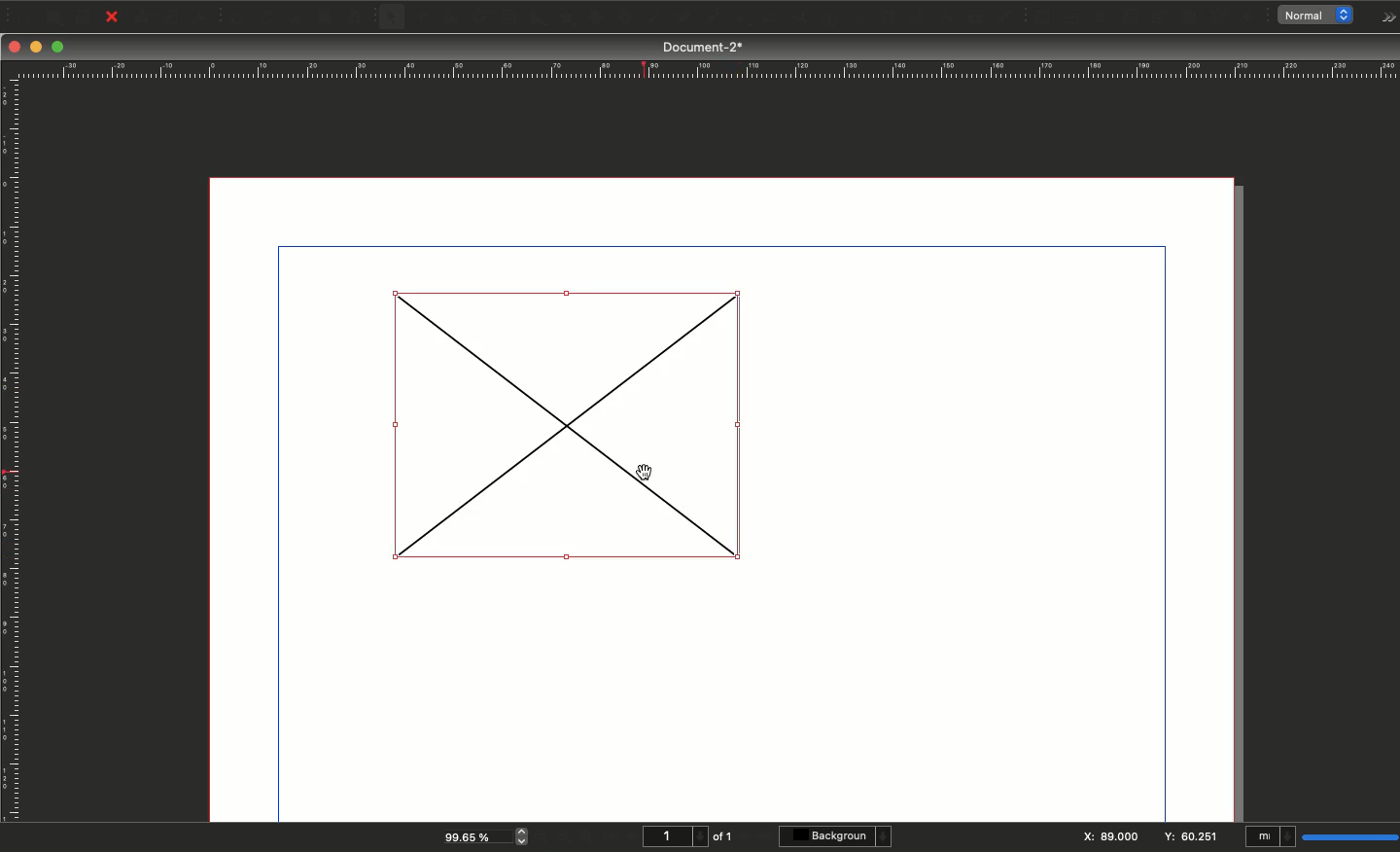 The height and width of the screenshot is (852, 1400). Describe the element at coordinates (1040, 17) in the screenshot. I see `PDF push button` at that location.